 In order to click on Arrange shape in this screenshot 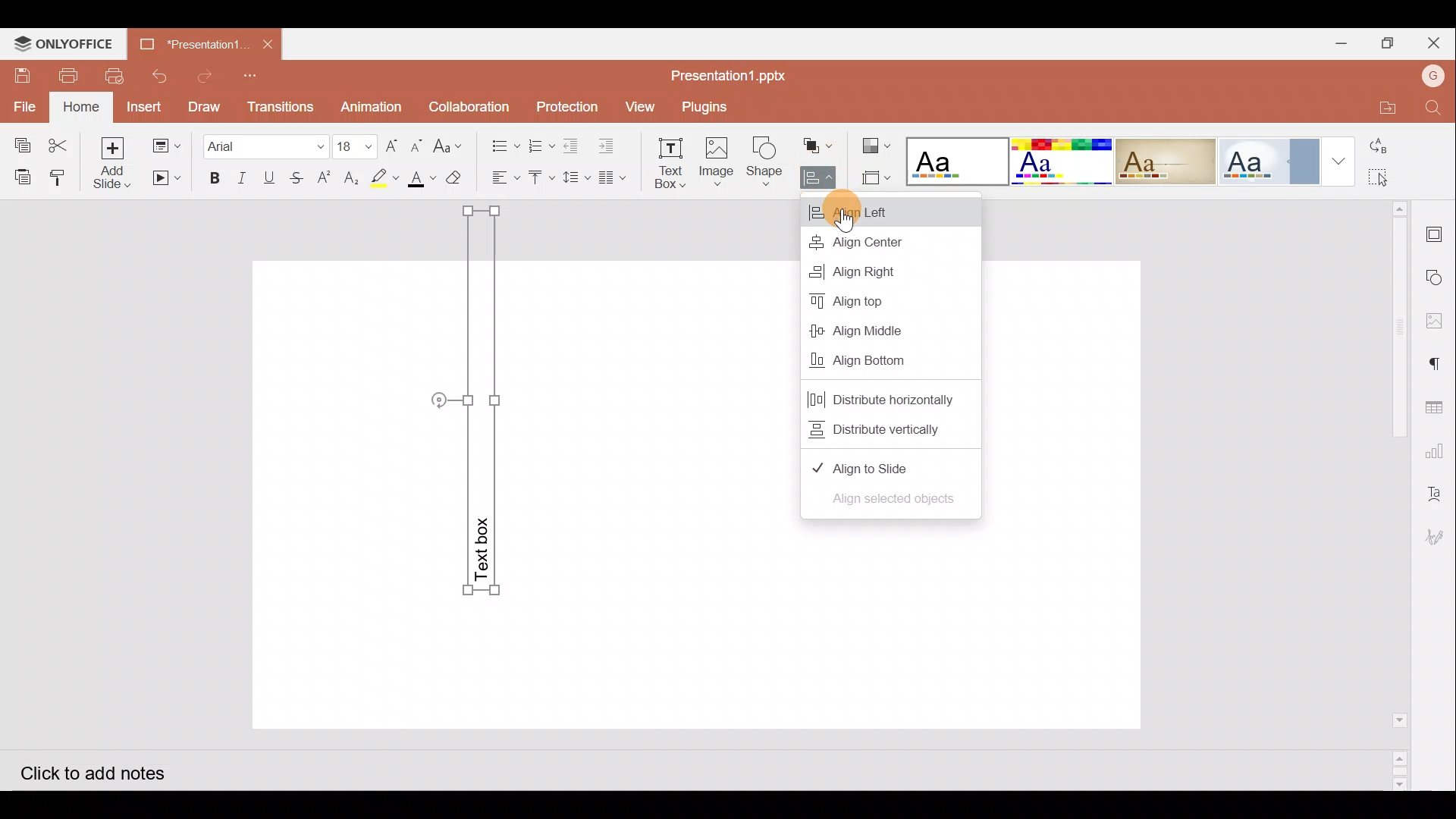, I will do `click(820, 146)`.